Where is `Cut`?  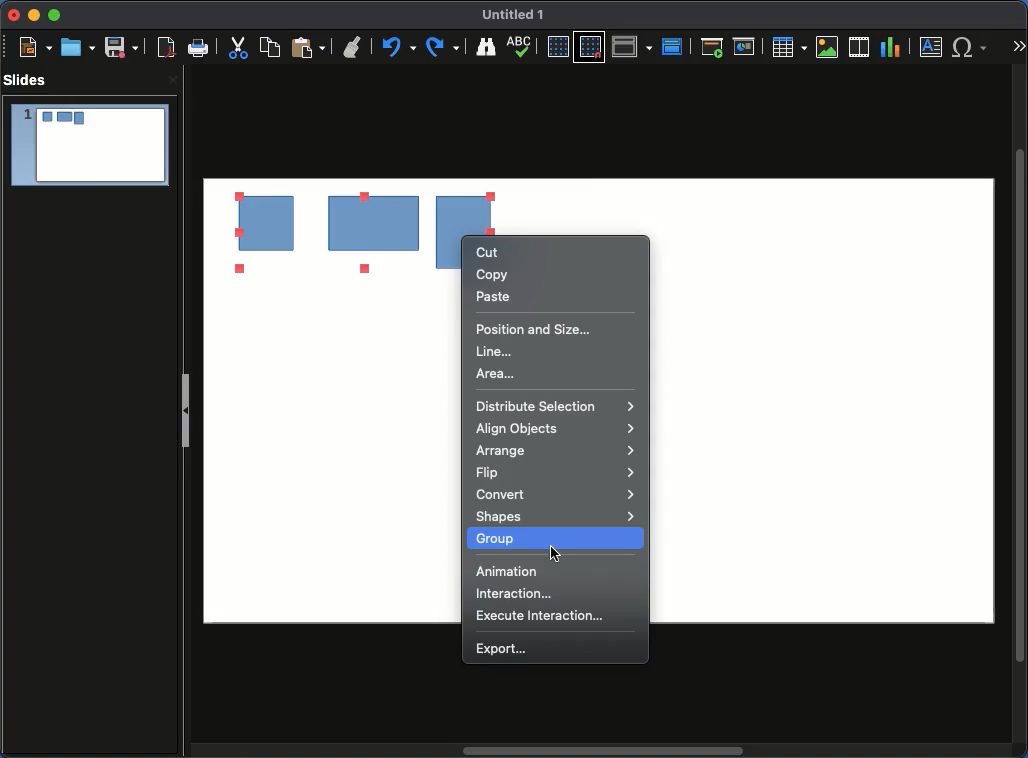 Cut is located at coordinates (490, 252).